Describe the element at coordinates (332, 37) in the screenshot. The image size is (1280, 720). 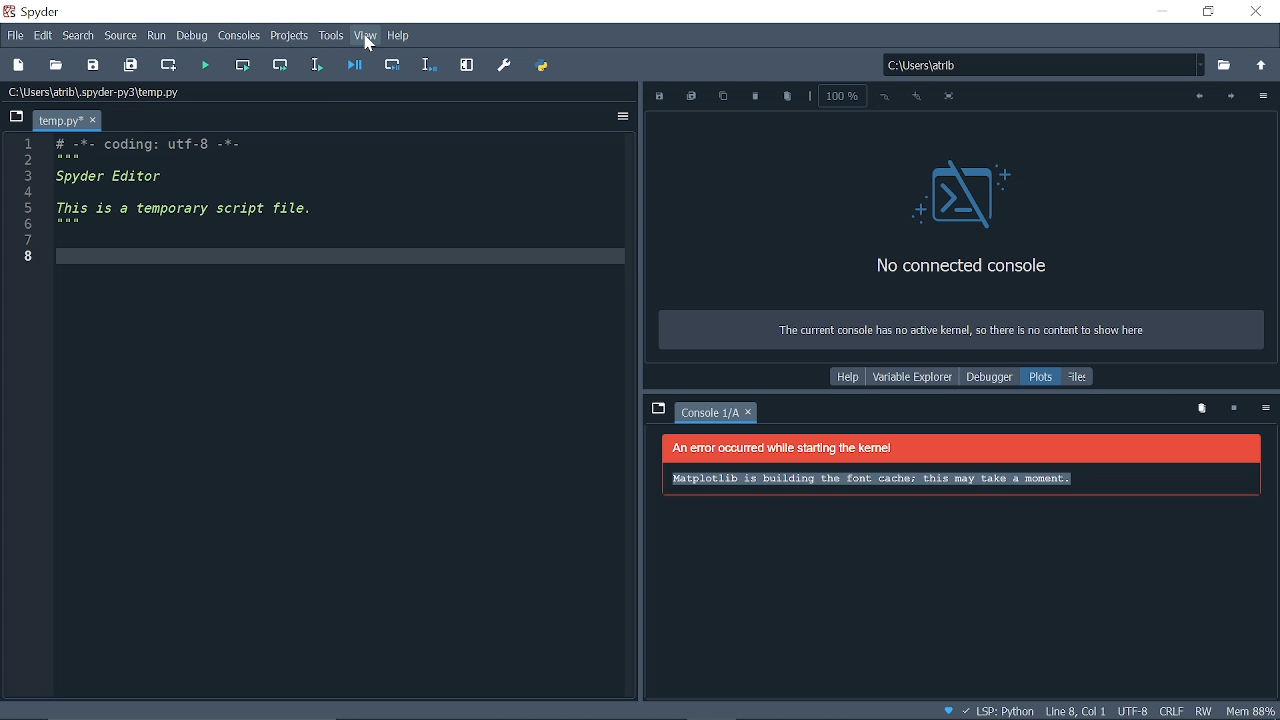
I see `Tools` at that location.